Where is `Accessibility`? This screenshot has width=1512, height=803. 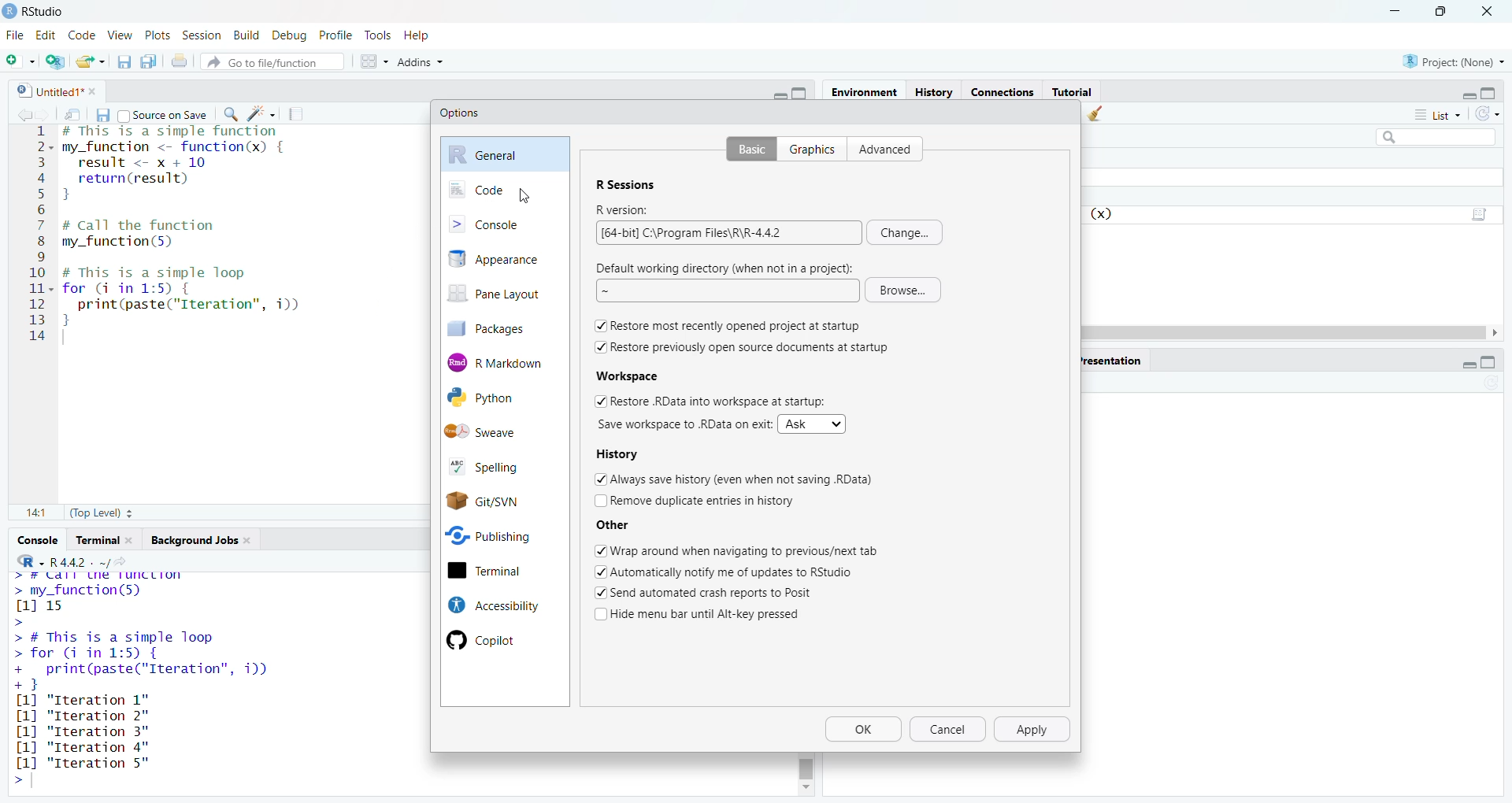 Accessibility is located at coordinates (491, 605).